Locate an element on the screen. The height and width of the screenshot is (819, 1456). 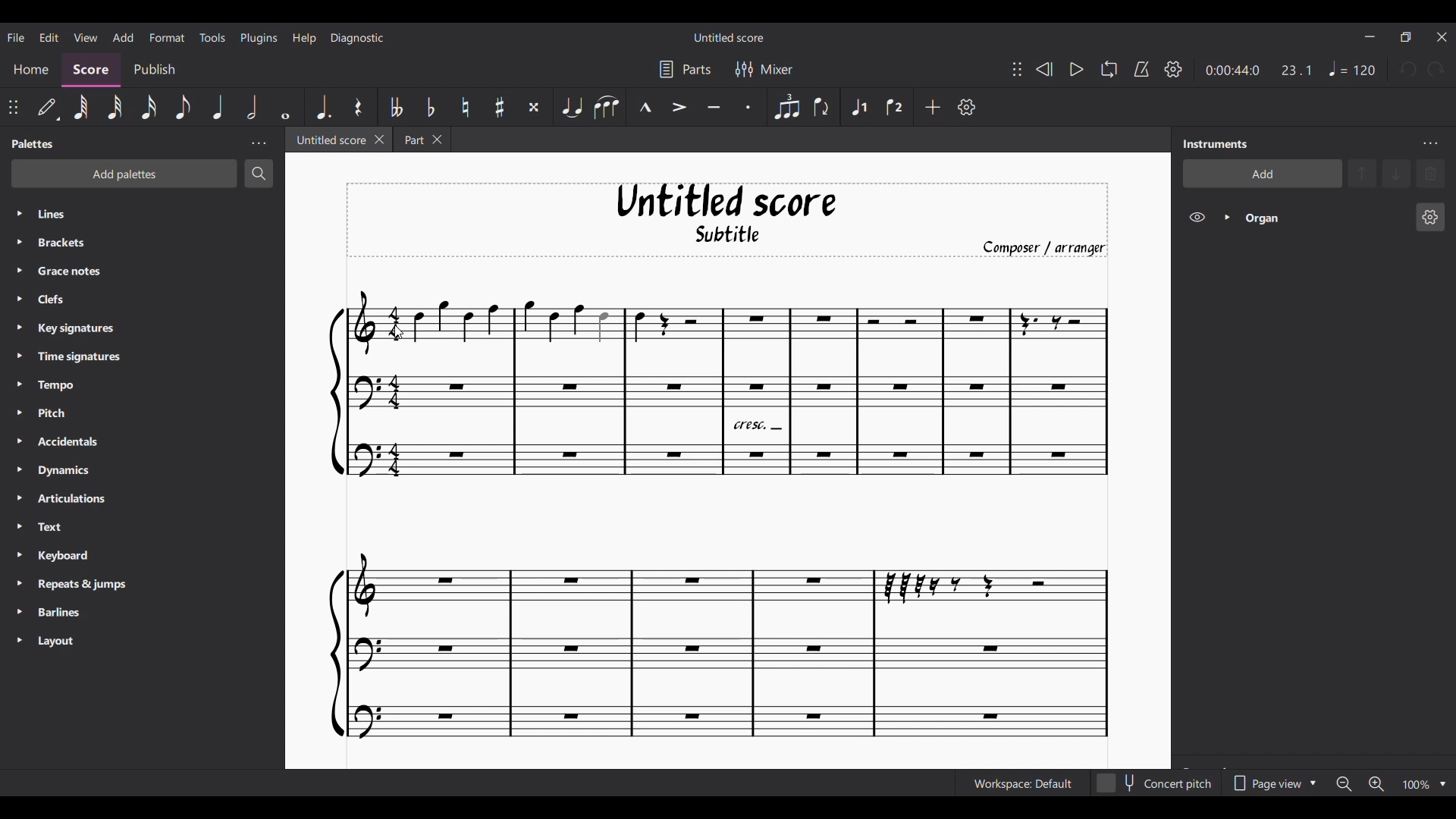
Score title is located at coordinates (728, 37).